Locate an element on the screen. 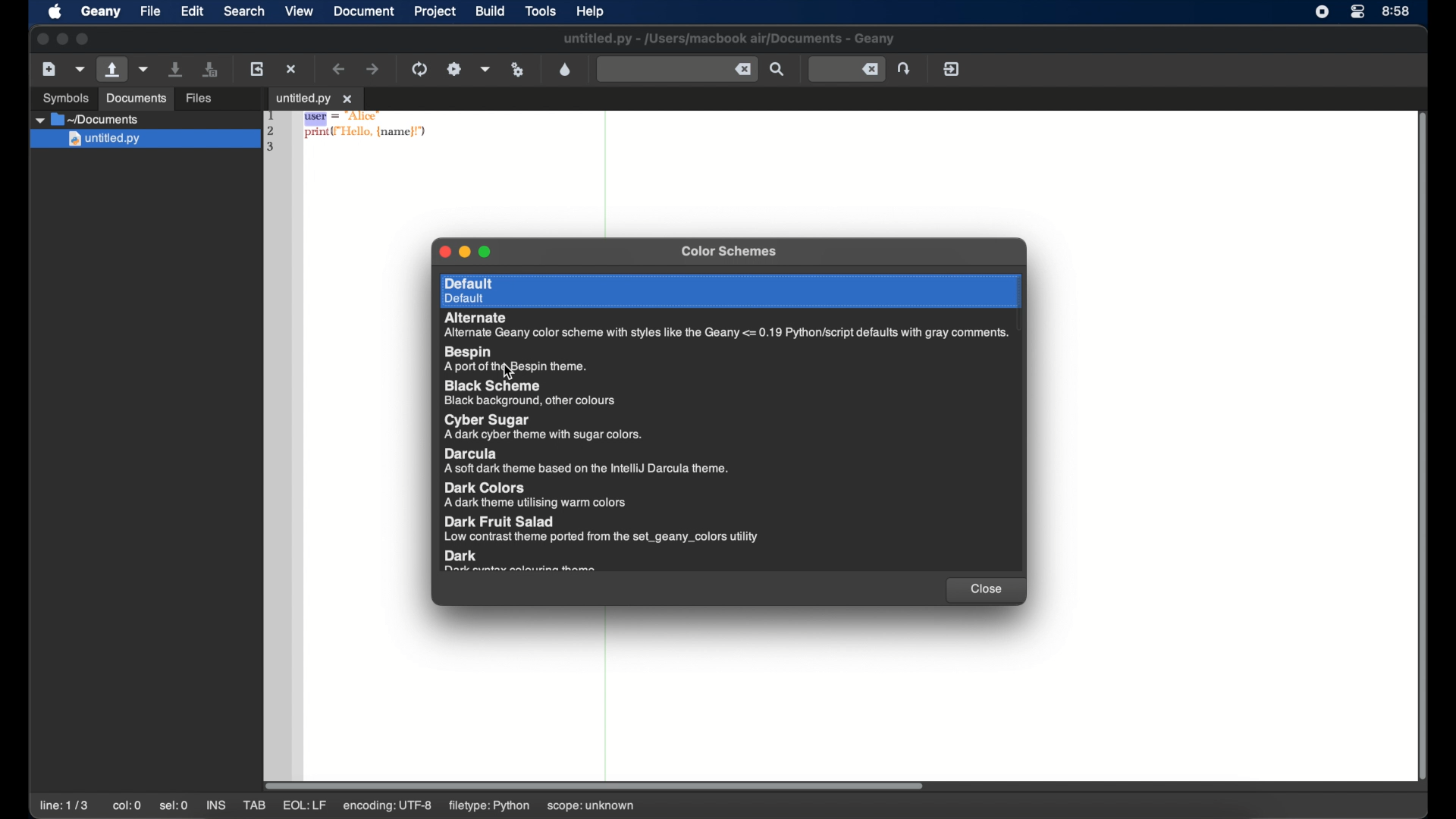  cyber sugar is located at coordinates (544, 427).